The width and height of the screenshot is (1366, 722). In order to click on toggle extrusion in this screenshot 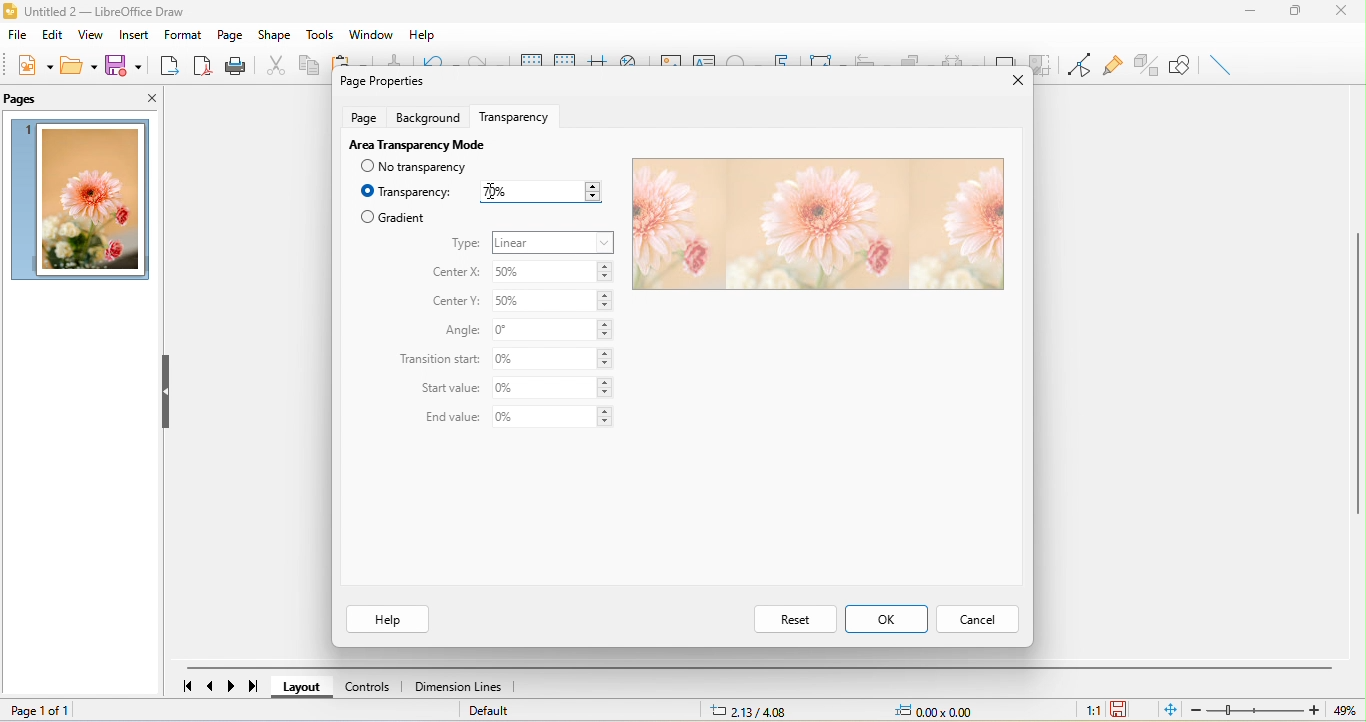, I will do `click(1144, 65)`.